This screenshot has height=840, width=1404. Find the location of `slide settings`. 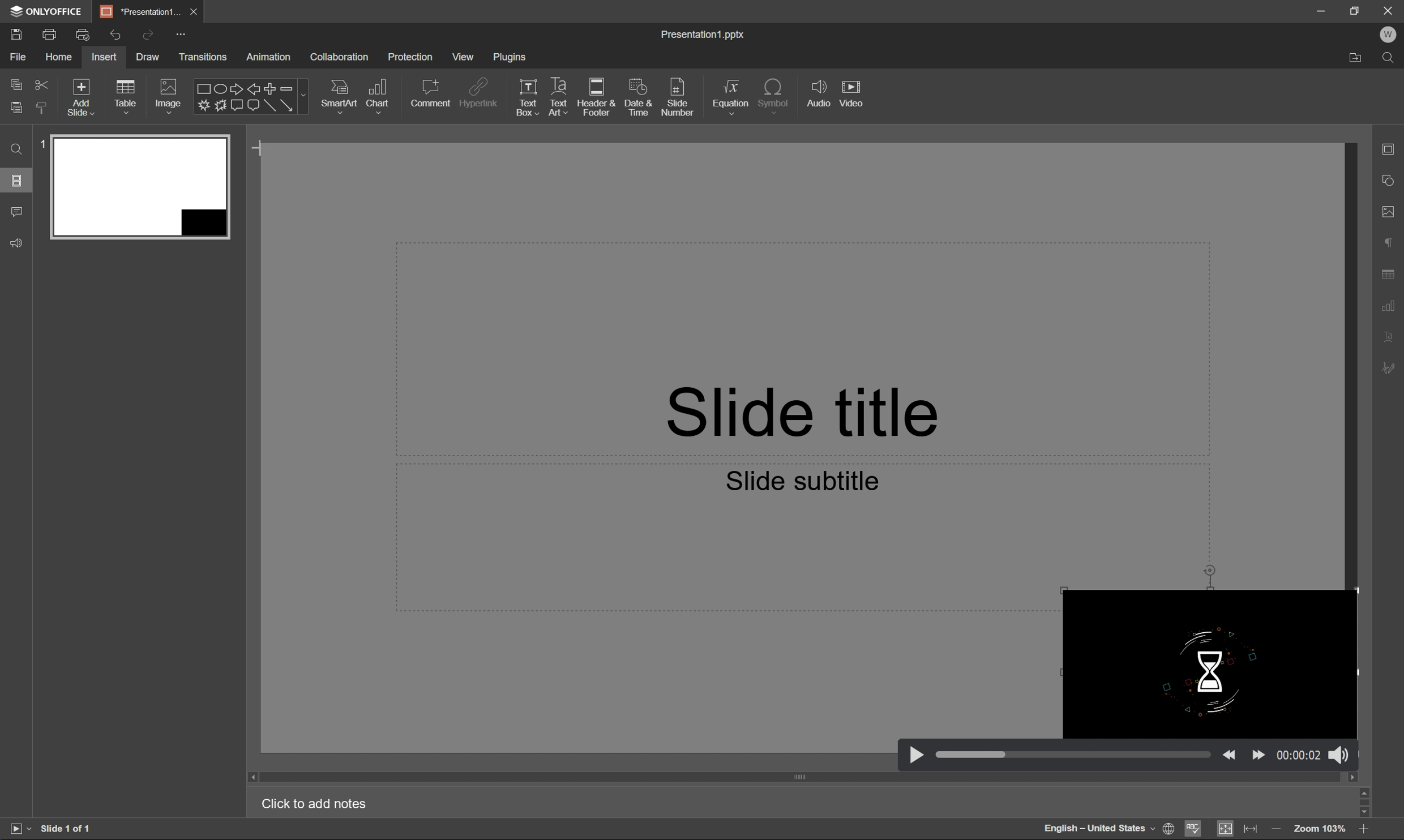

slide settings is located at coordinates (1391, 147).